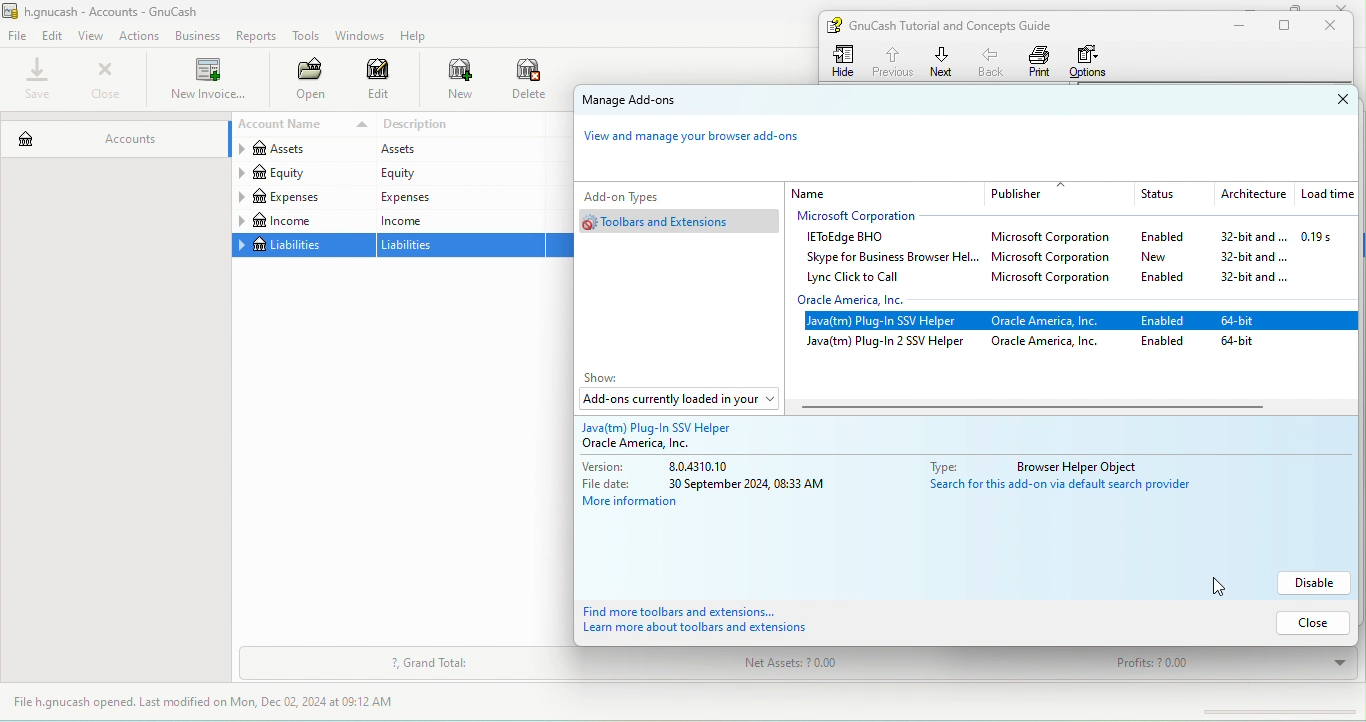 The height and width of the screenshot is (722, 1366). What do you see at coordinates (993, 61) in the screenshot?
I see `back` at bounding box center [993, 61].